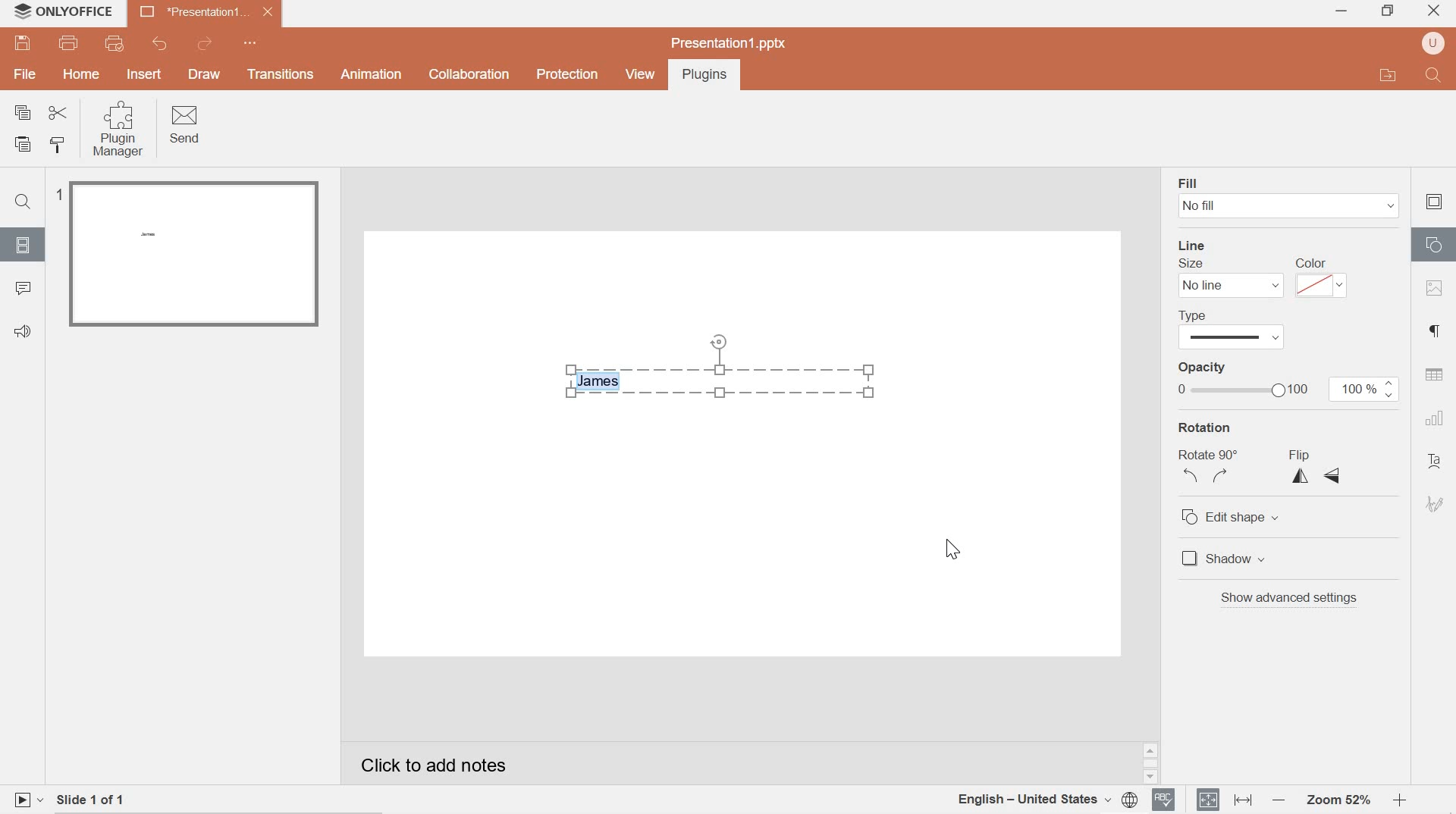 This screenshot has width=1456, height=814. Describe the element at coordinates (82, 76) in the screenshot. I see `hOME` at that location.